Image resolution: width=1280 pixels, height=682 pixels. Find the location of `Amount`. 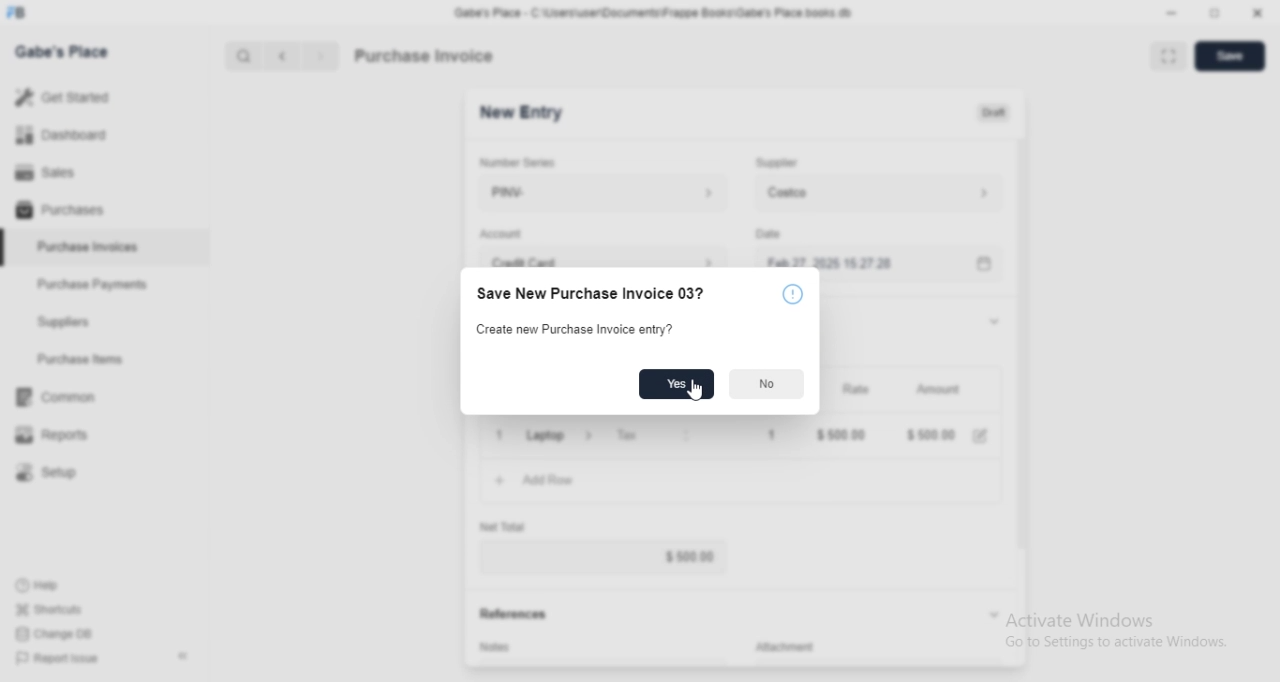

Amount is located at coordinates (937, 390).